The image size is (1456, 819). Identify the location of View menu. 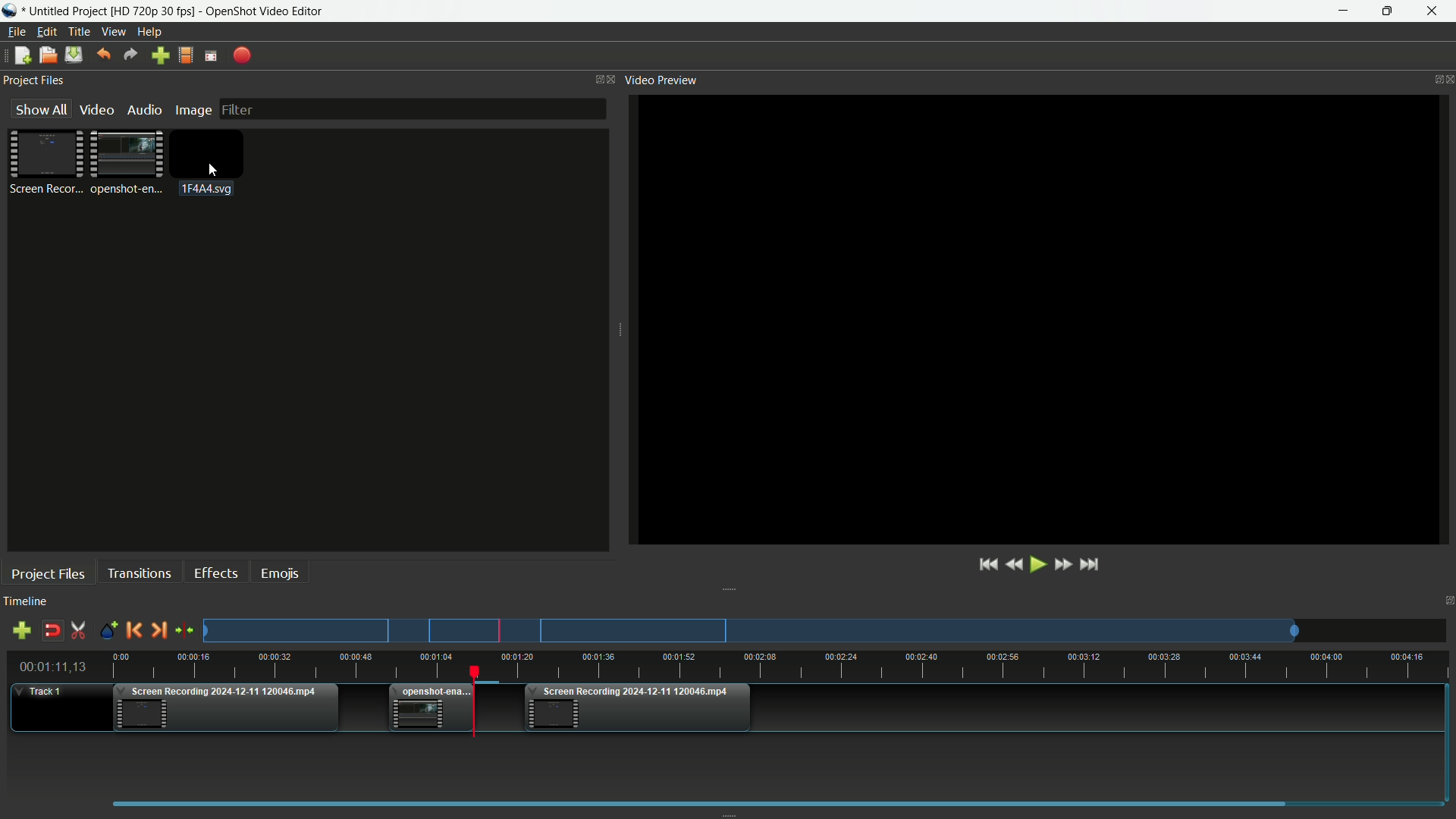
(112, 33).